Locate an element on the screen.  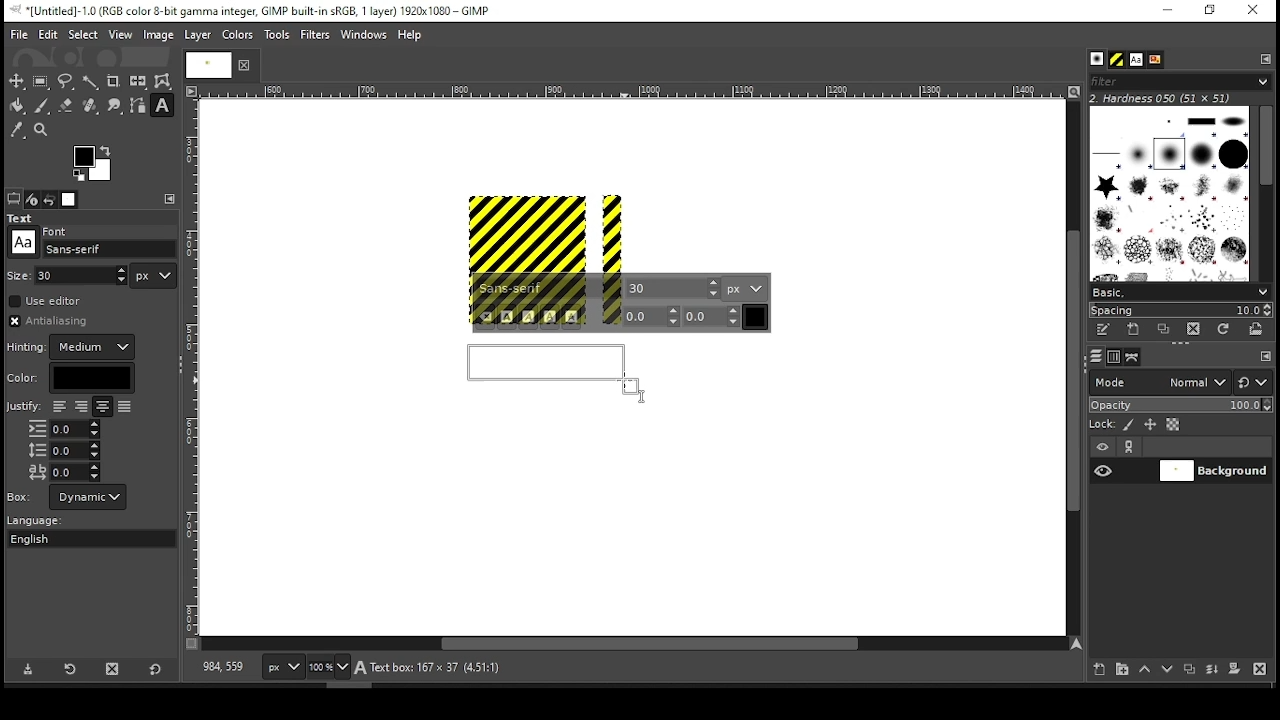
lock: is located at coordinates (1103, 426).